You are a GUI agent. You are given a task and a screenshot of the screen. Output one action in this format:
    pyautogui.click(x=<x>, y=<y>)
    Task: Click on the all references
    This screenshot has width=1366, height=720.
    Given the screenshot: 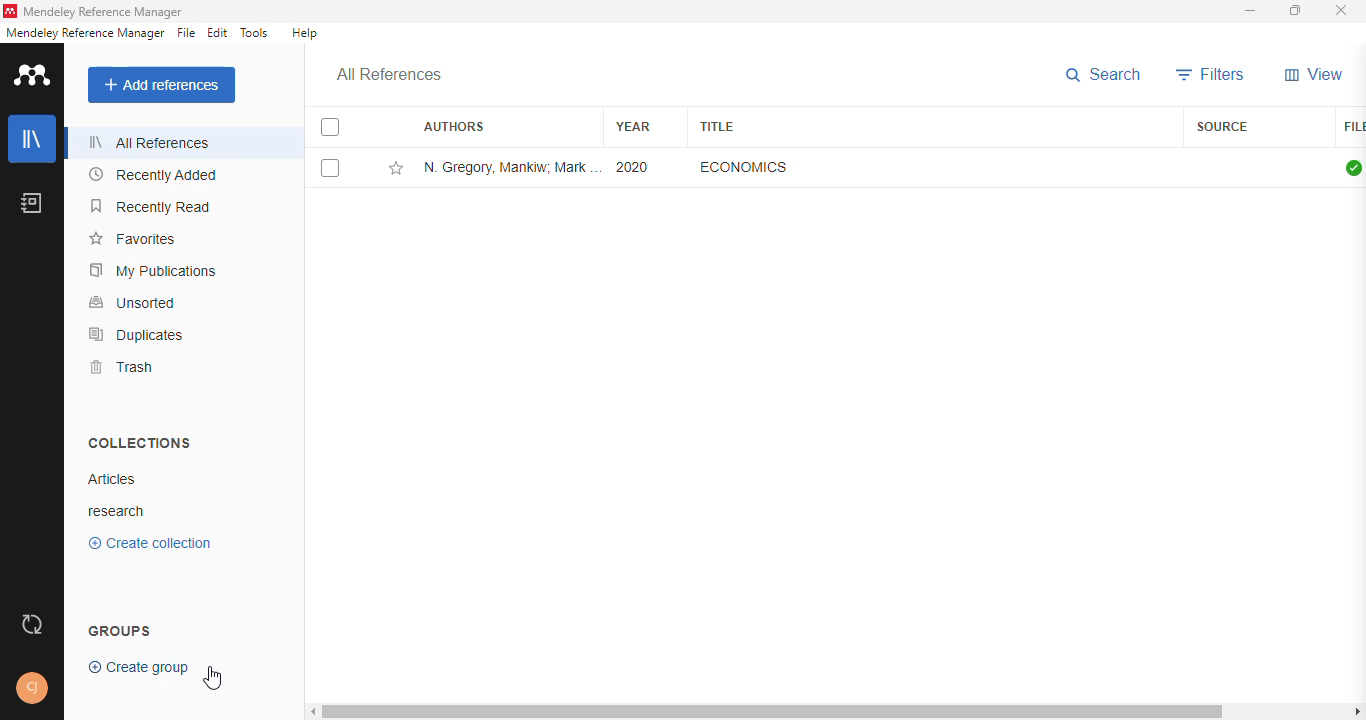 What is the action you would take?
    pyautogui.click(x=149, y=142)
    